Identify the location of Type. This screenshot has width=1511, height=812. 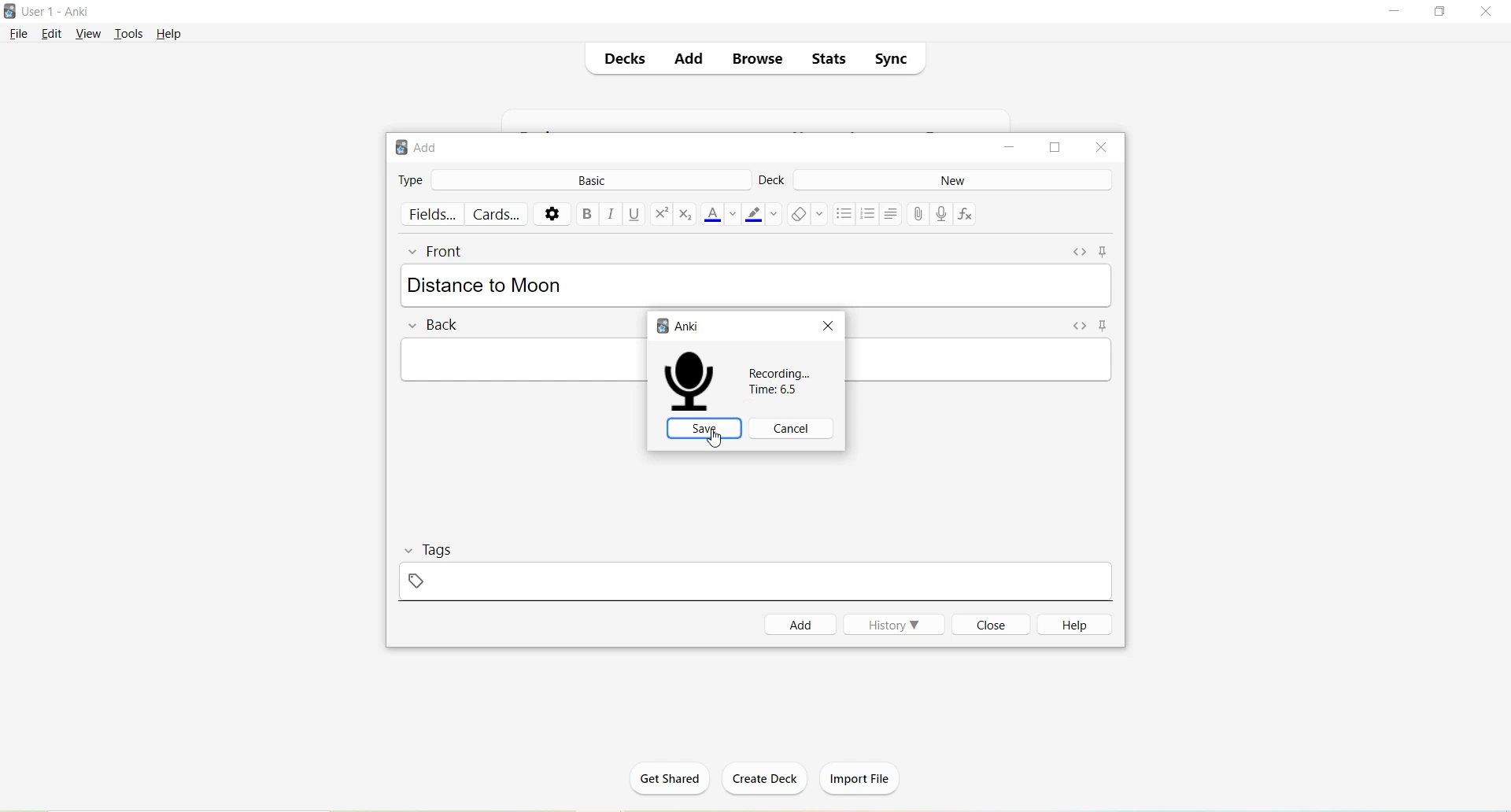
(411, 179).